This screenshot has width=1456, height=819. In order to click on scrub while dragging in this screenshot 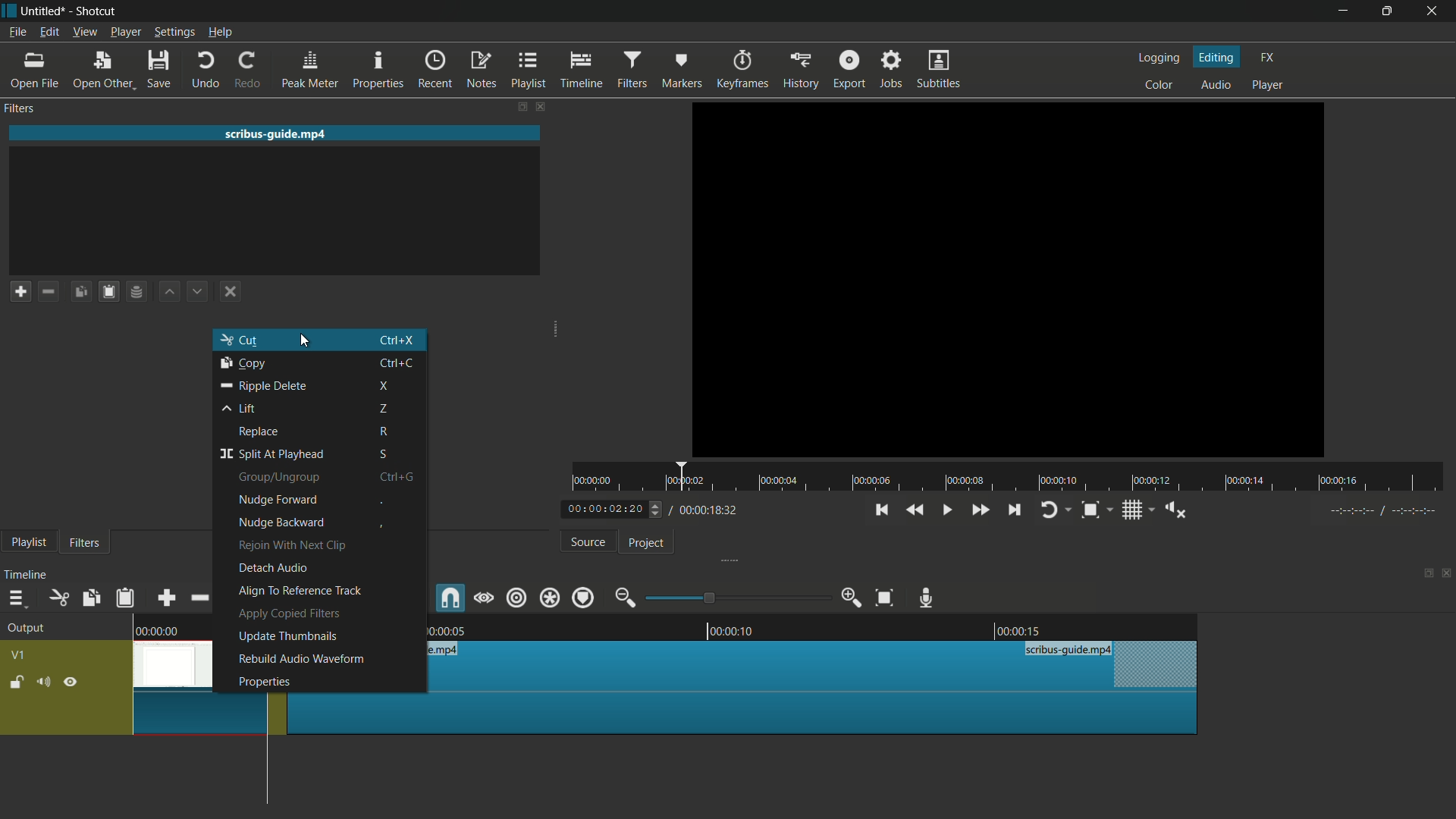, I will do `click(483, 597)`.